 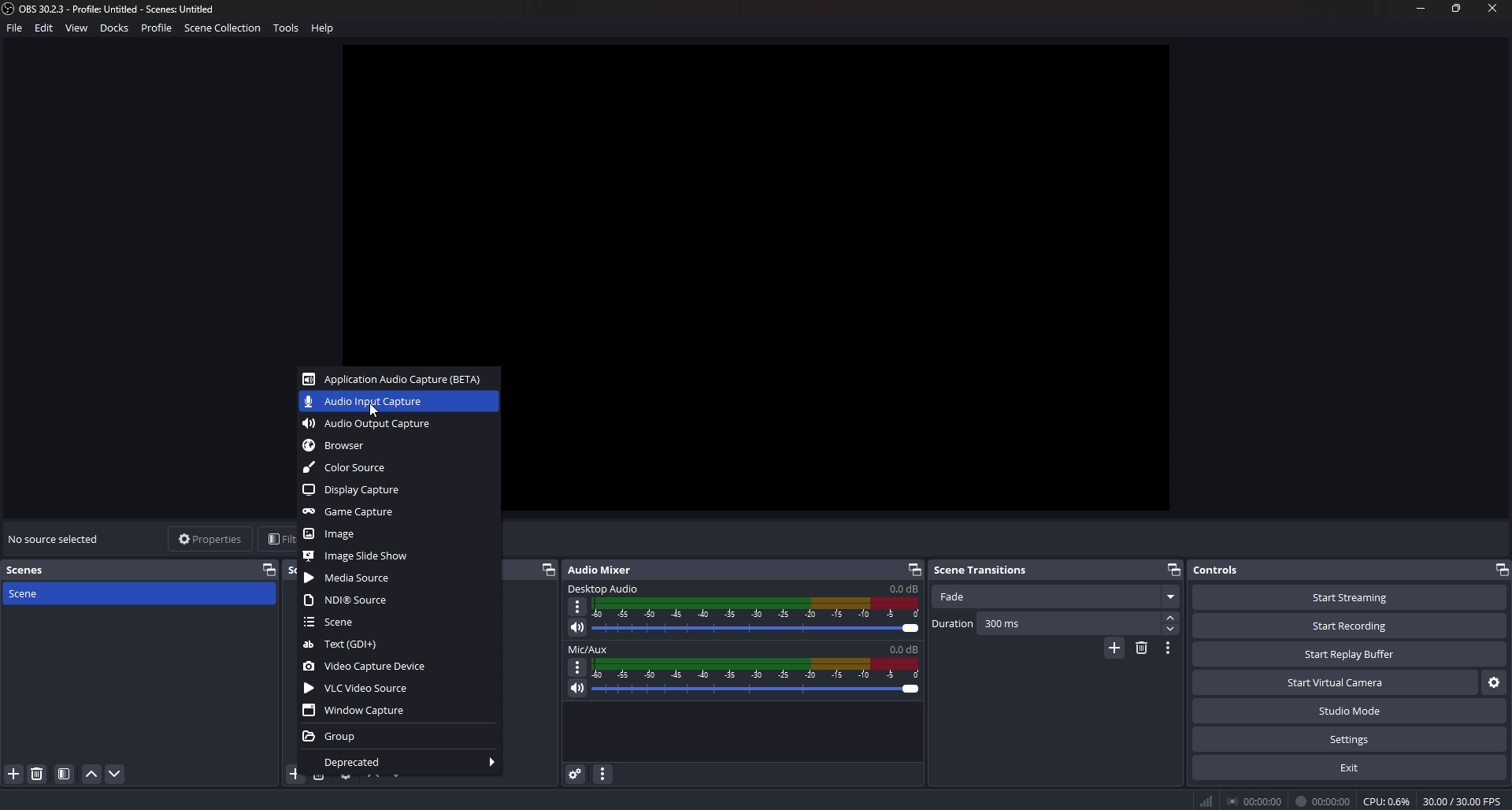 What do you see at coordinates (399, 762) in the screenshot?
I see `deprecated` at bounding box center [399, 762].